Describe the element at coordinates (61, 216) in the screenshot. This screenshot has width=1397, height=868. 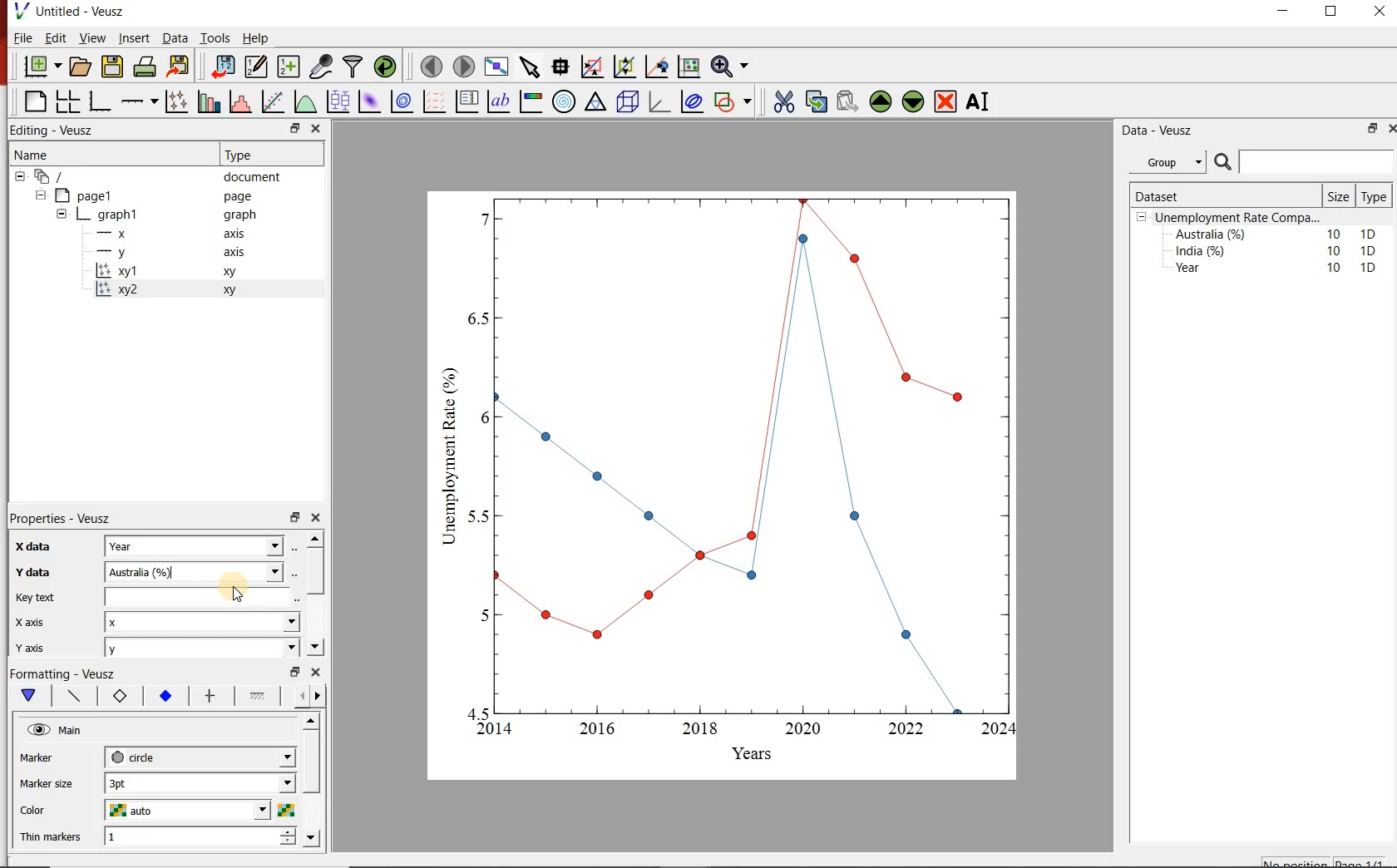
I see `collapse` at that location.